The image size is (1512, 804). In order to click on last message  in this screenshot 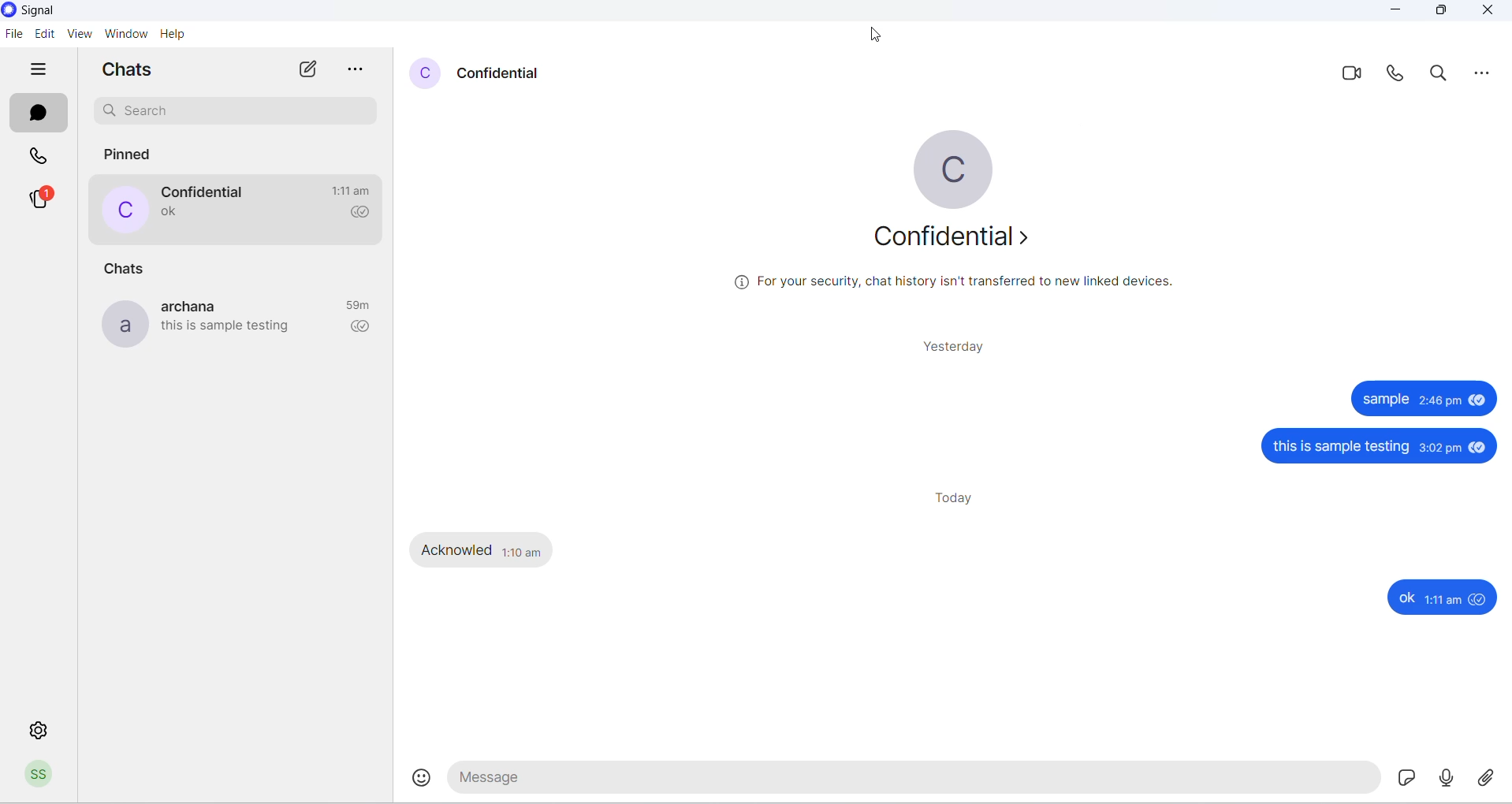, I will do `click(234, 329)`.